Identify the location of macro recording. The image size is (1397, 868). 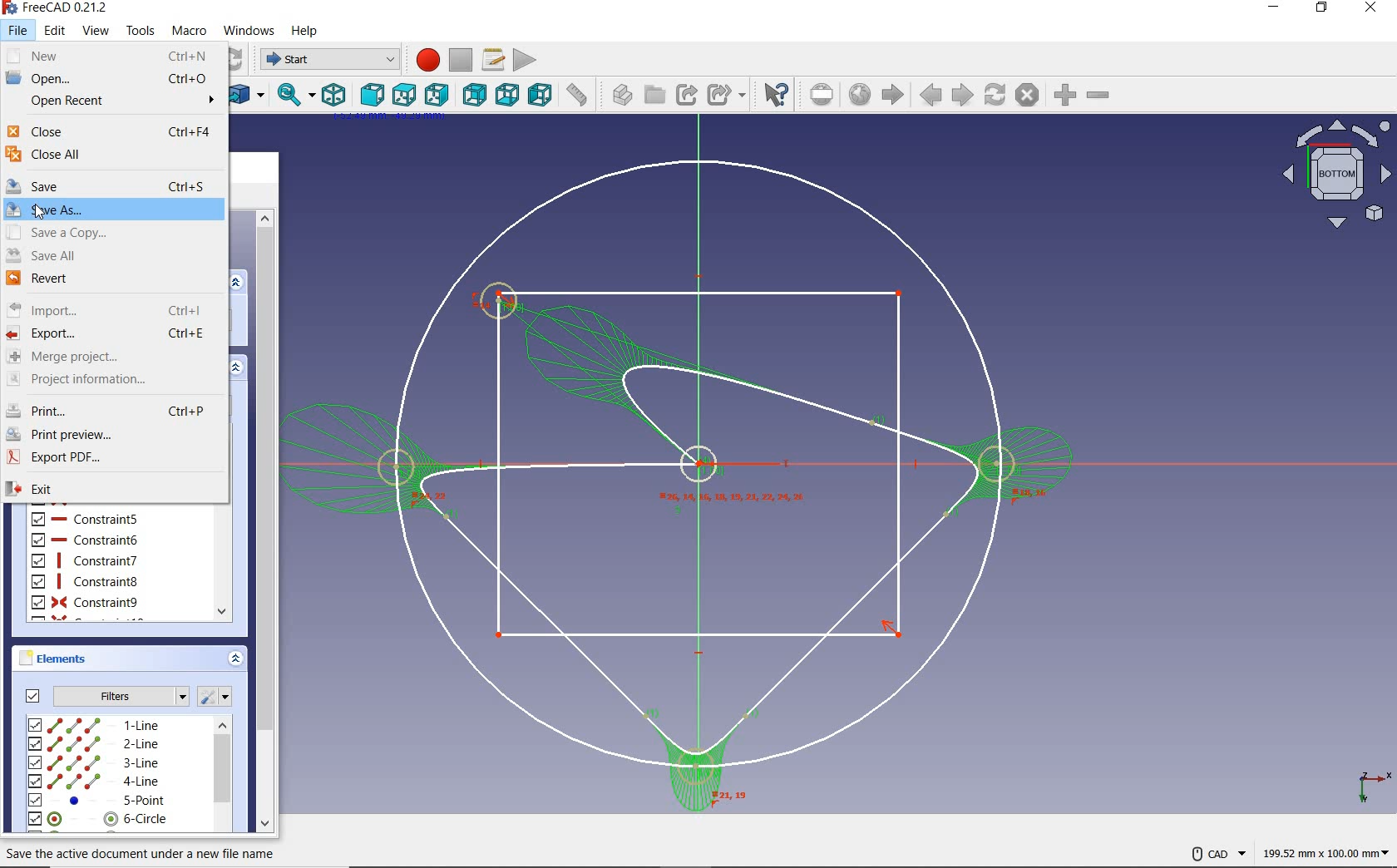
(423, 58).